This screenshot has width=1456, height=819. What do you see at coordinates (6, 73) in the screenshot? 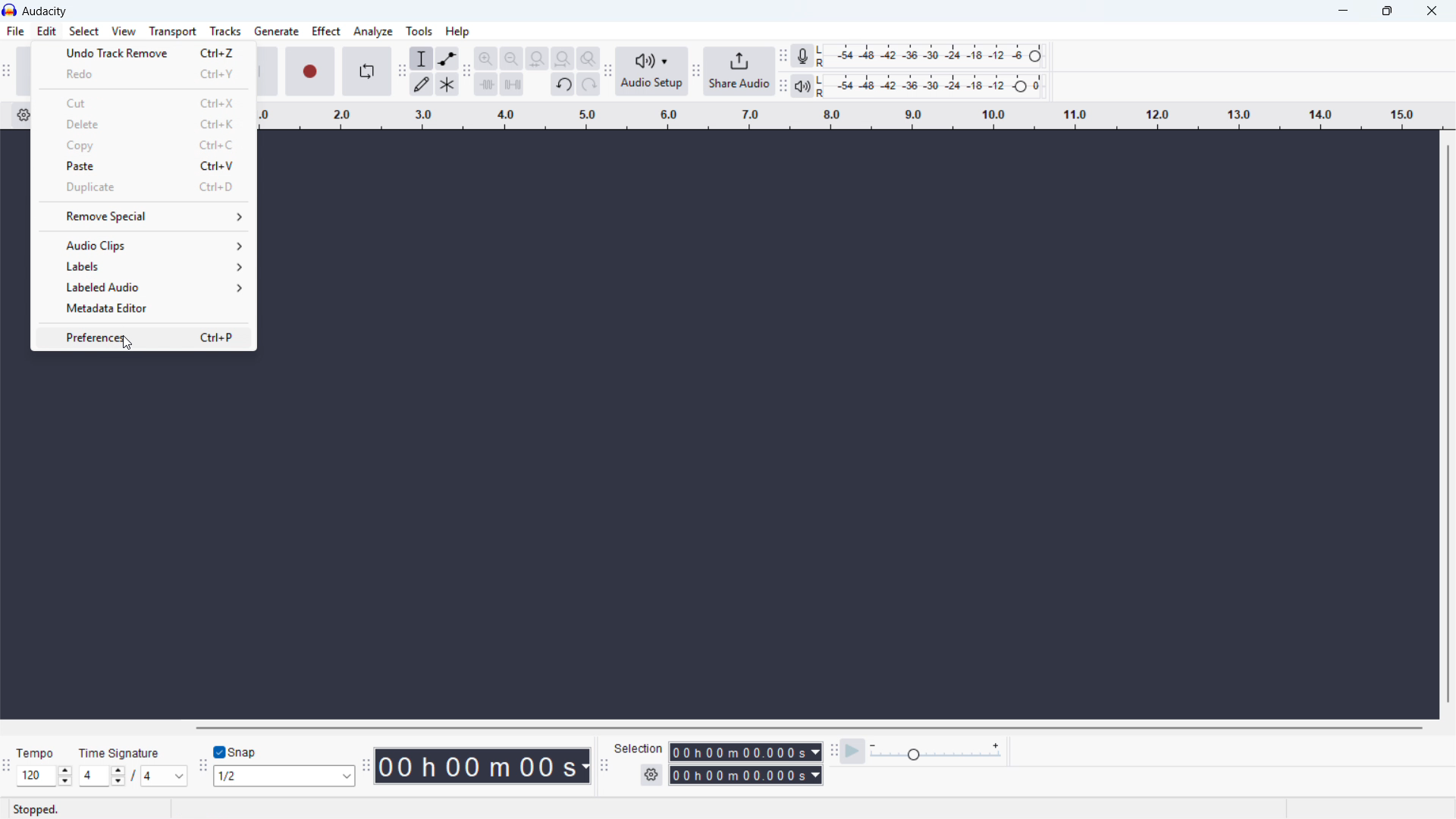
I see `transport toolbar` at bounding box center [6, 73].